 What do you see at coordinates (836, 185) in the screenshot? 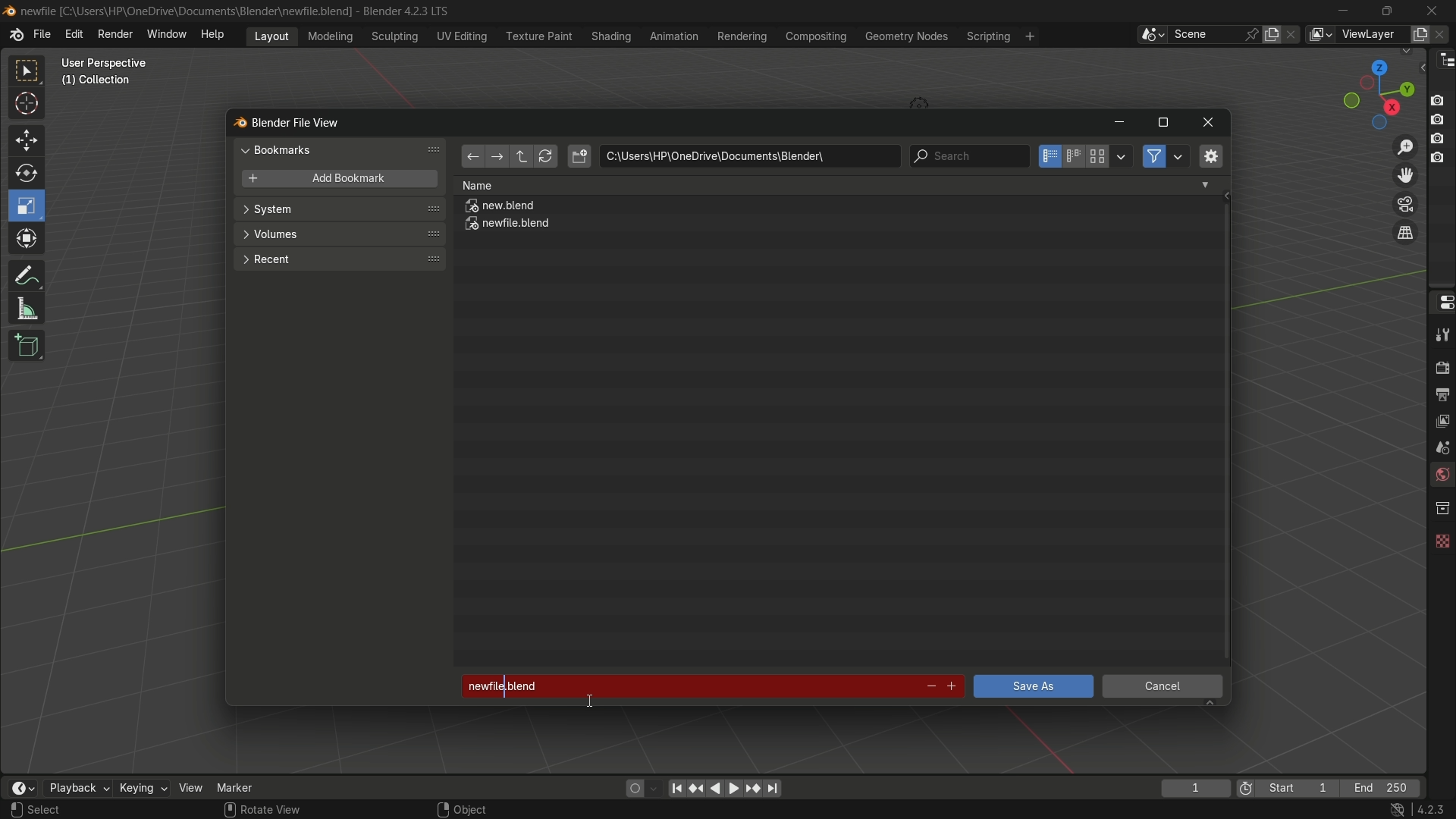
I see `Name` at bounding box center [836, 185].